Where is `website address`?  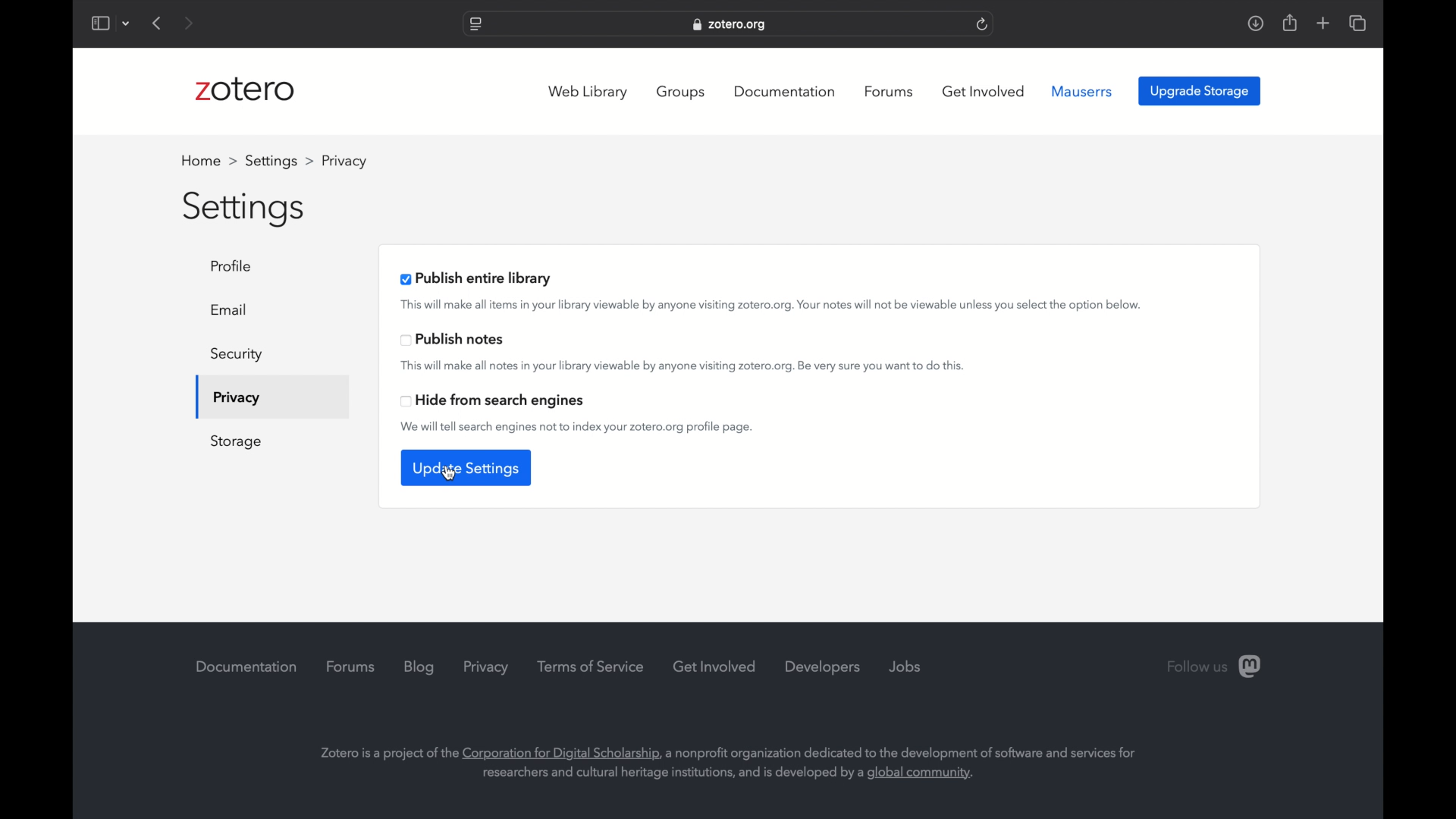 website address is located at coordinates (729, 24).